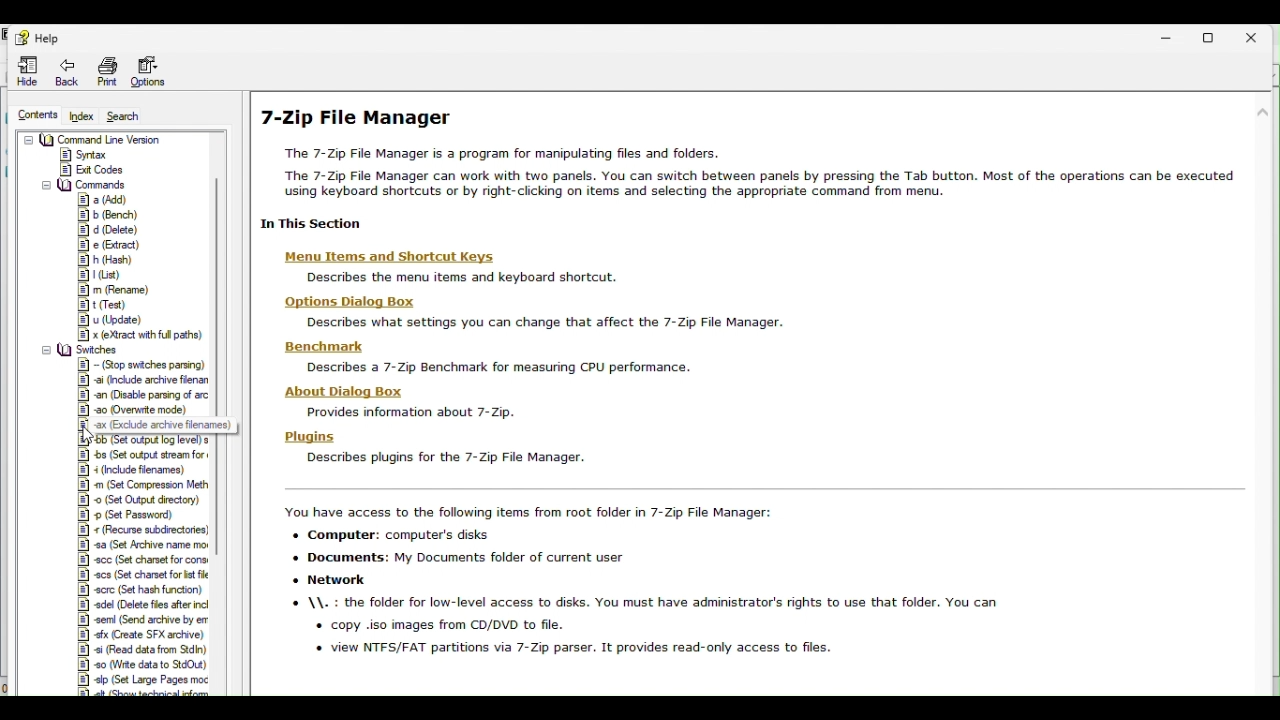  What do you see at coordinates (463, 277) in the screenshot?
I see `Describes the menu items and keyboard shortcut.` at bounding box center [463, 277].